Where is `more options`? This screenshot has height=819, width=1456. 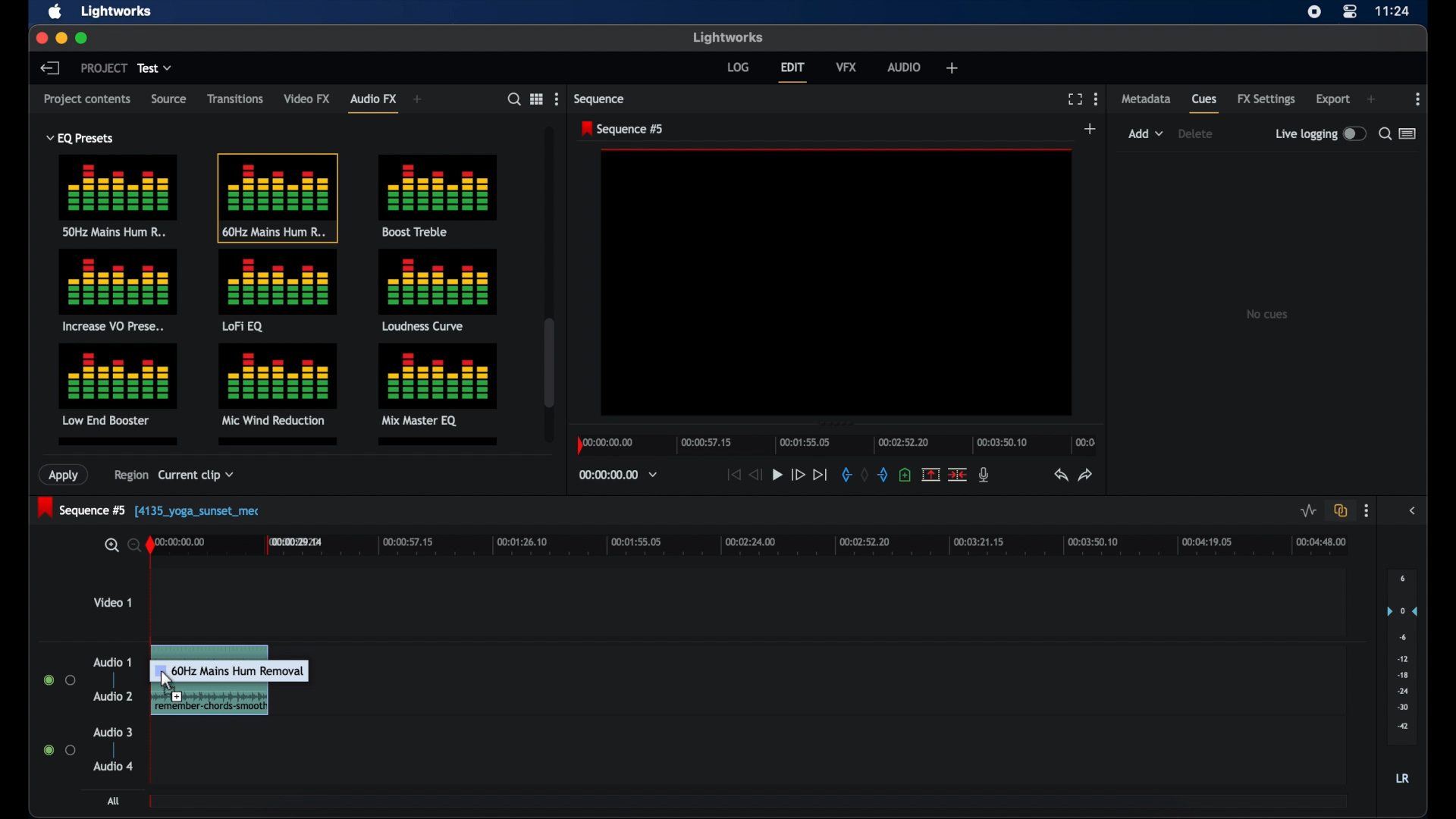 more options is located at coordinates (556, 99).